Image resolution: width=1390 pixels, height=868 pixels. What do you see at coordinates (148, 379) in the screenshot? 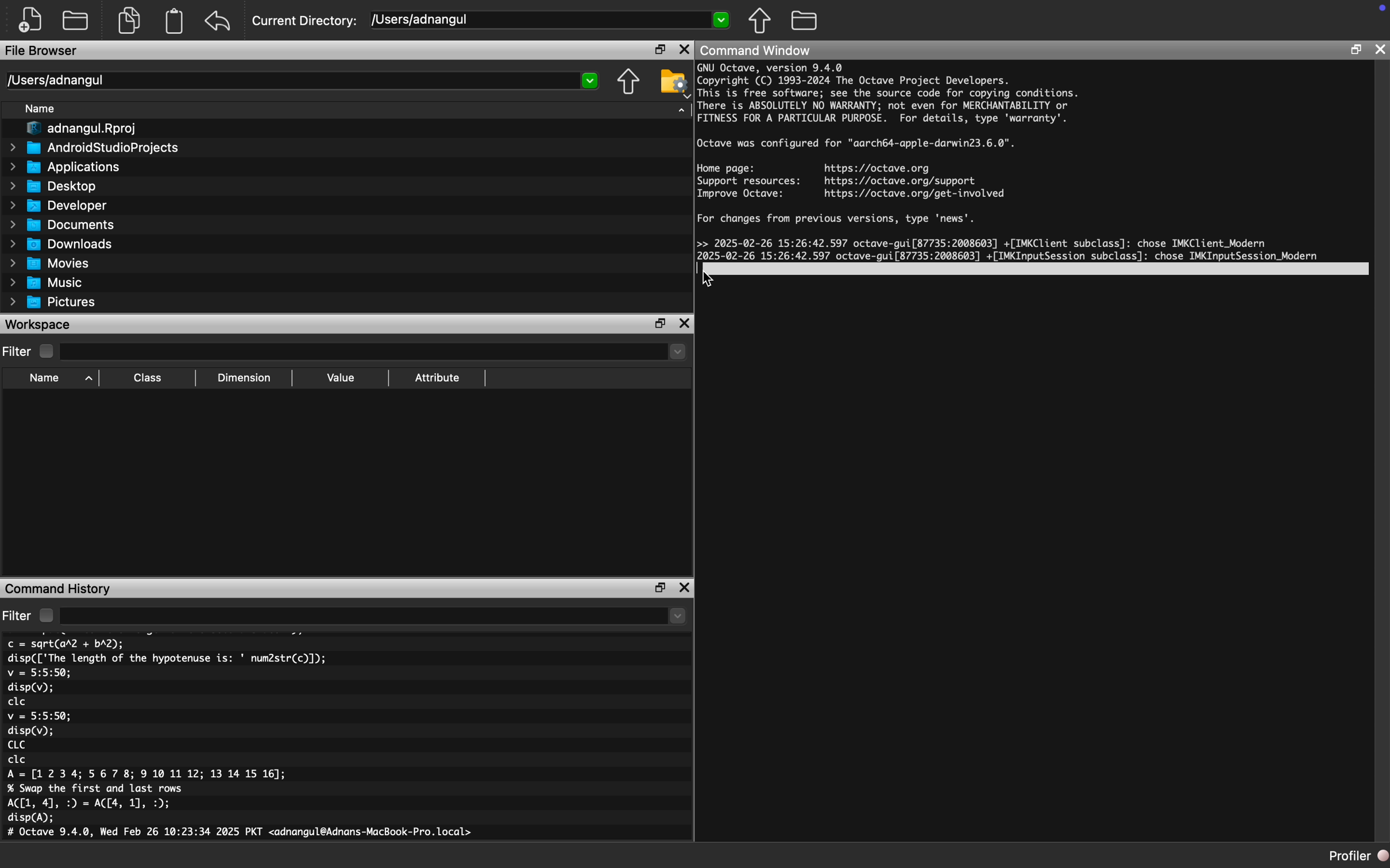
I see `Class` at bounding box center [148, 379].